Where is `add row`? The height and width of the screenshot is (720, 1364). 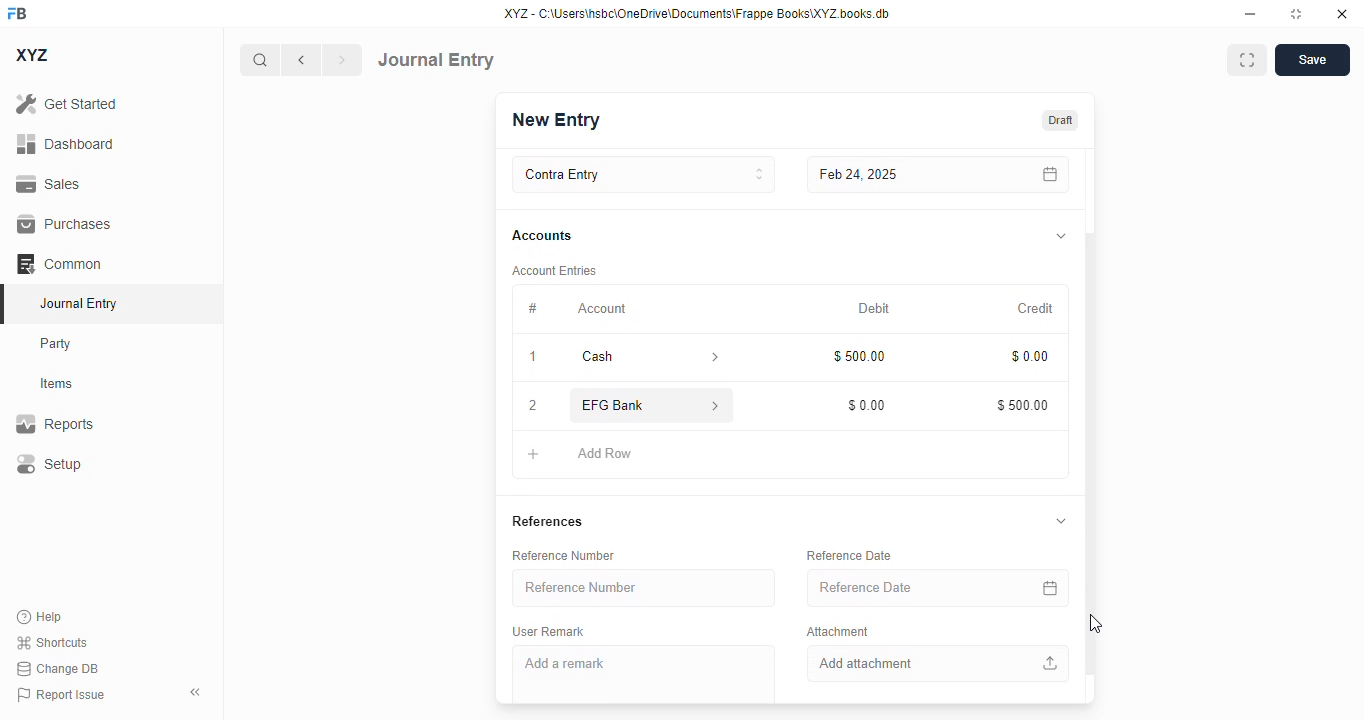 add row is located at coordinates (603, 454).